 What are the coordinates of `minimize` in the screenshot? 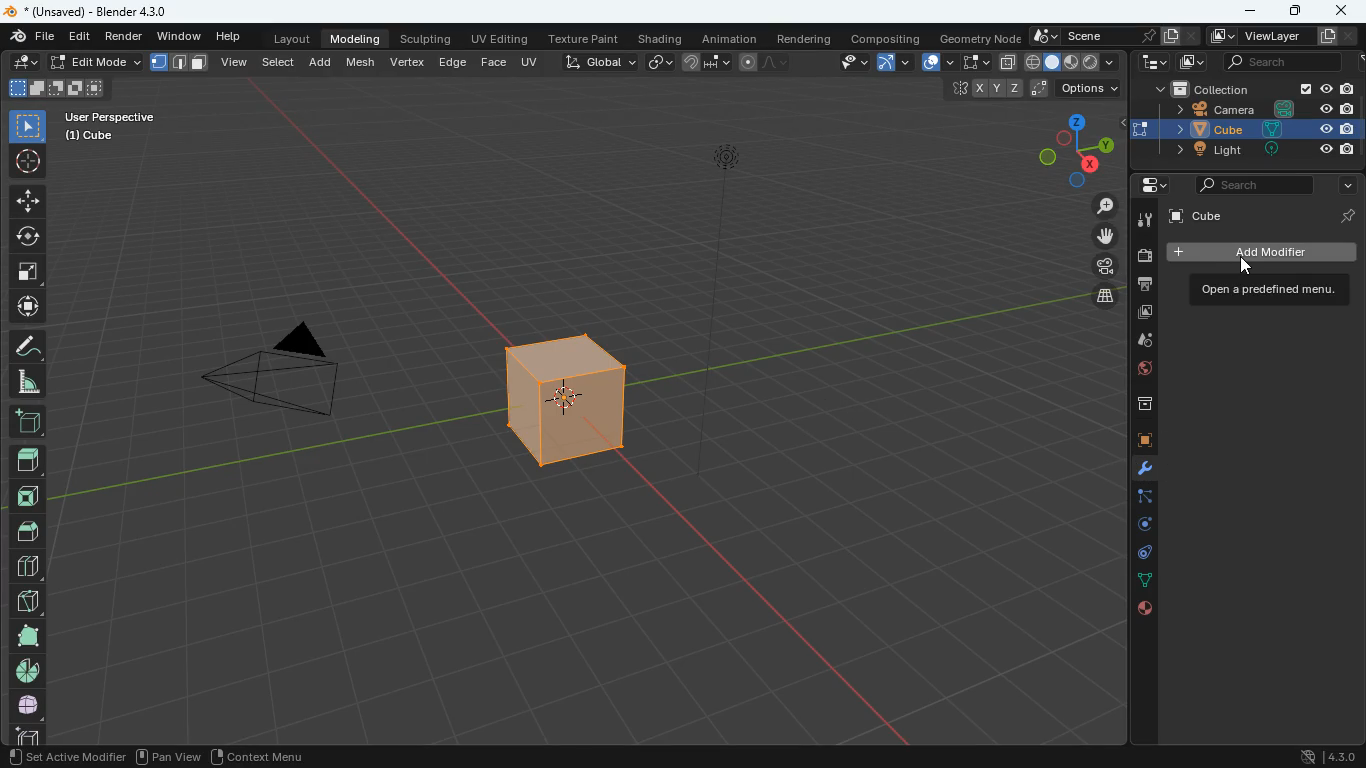 It's located at (1251, 12).